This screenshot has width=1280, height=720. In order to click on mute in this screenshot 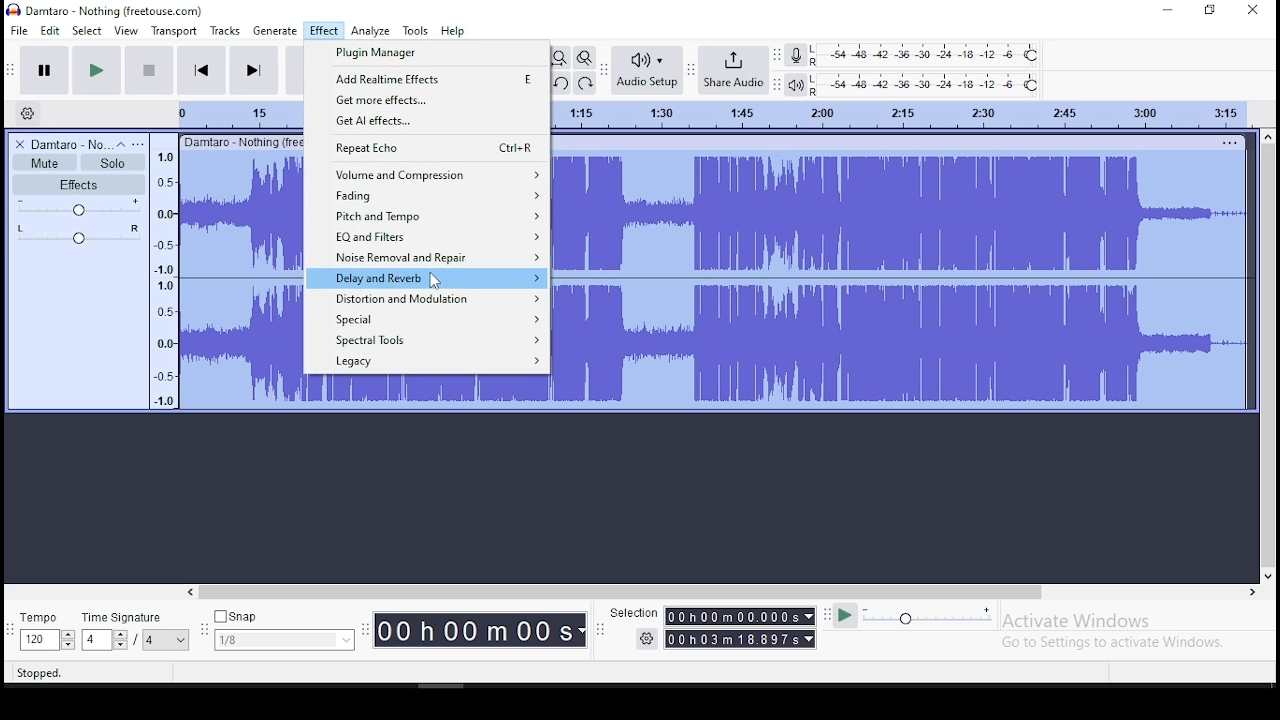, I will do `click(45, 162)`.